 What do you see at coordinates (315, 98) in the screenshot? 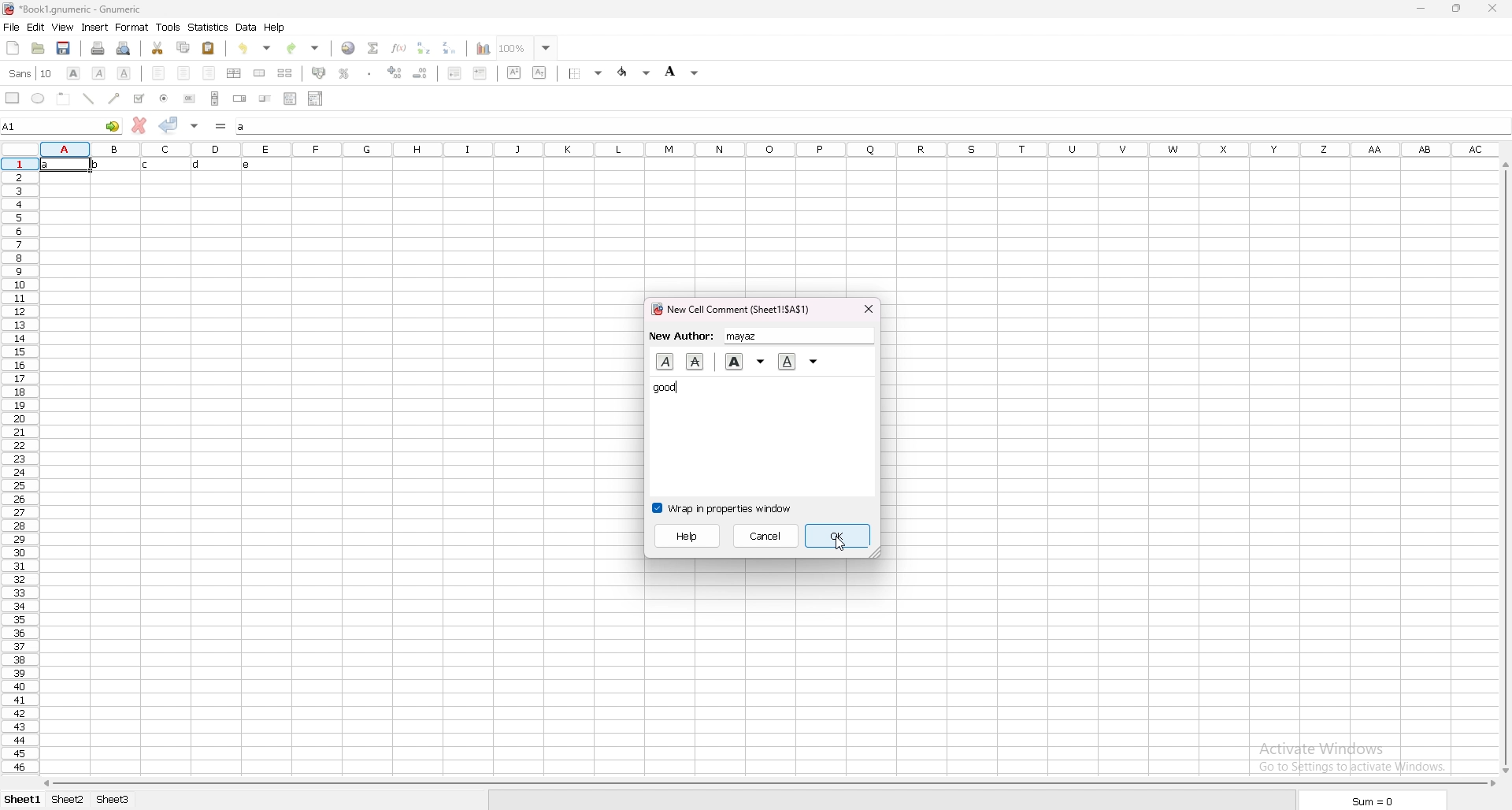
I see `combo box` at bounding box center [315, 98].